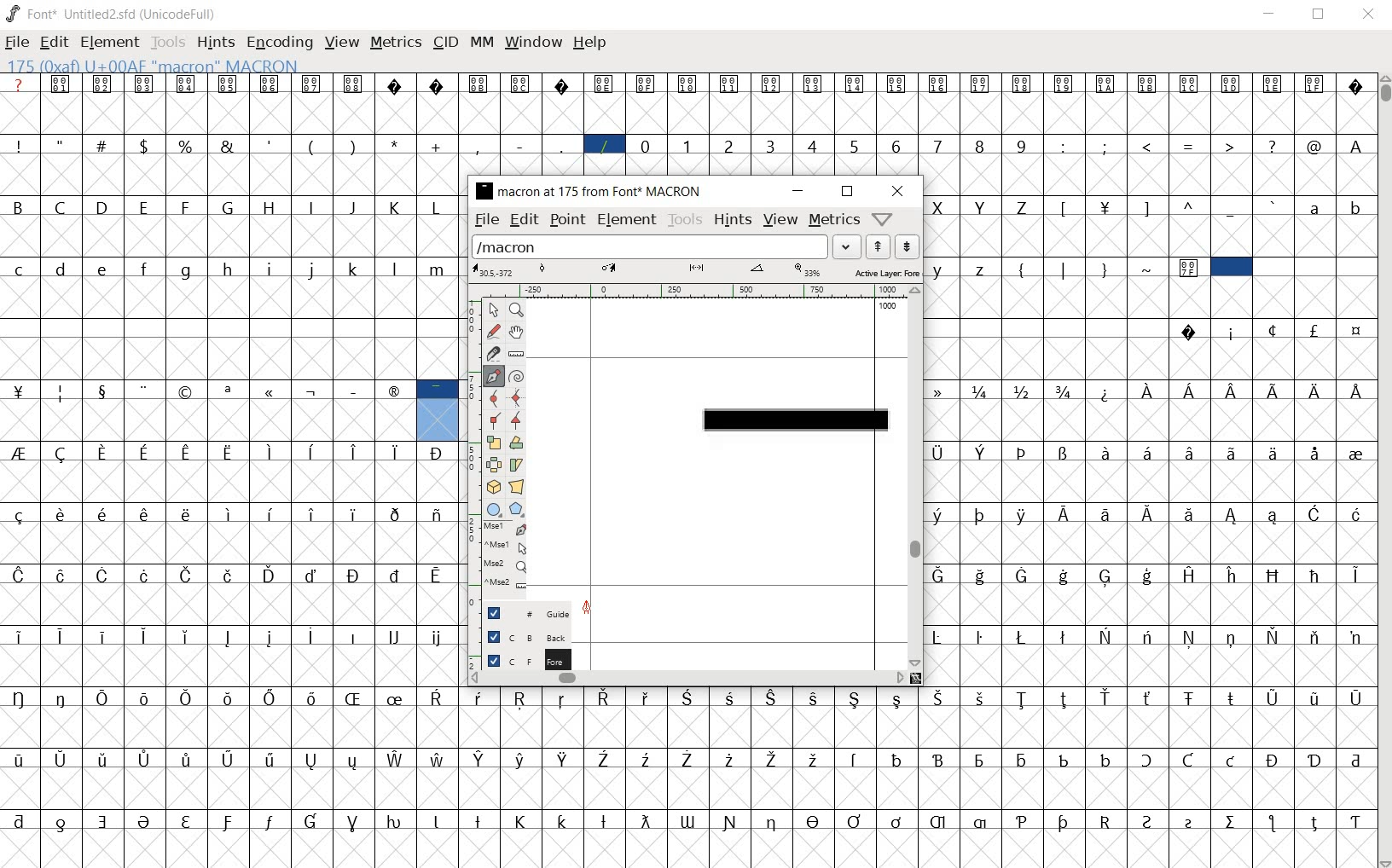  What do you see at coordinates (688, 144) in the screenshot?
I see `1` at bounding box center [688, 144].